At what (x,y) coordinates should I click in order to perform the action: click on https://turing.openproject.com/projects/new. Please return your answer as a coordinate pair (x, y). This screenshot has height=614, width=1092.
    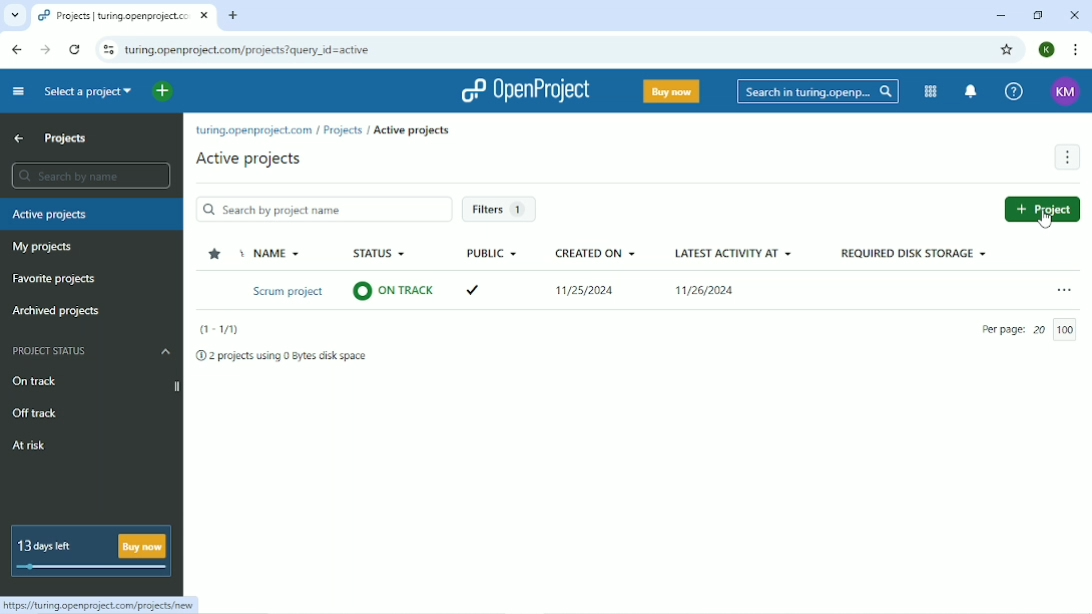
    Looking at the image, I should click on (102, 605).